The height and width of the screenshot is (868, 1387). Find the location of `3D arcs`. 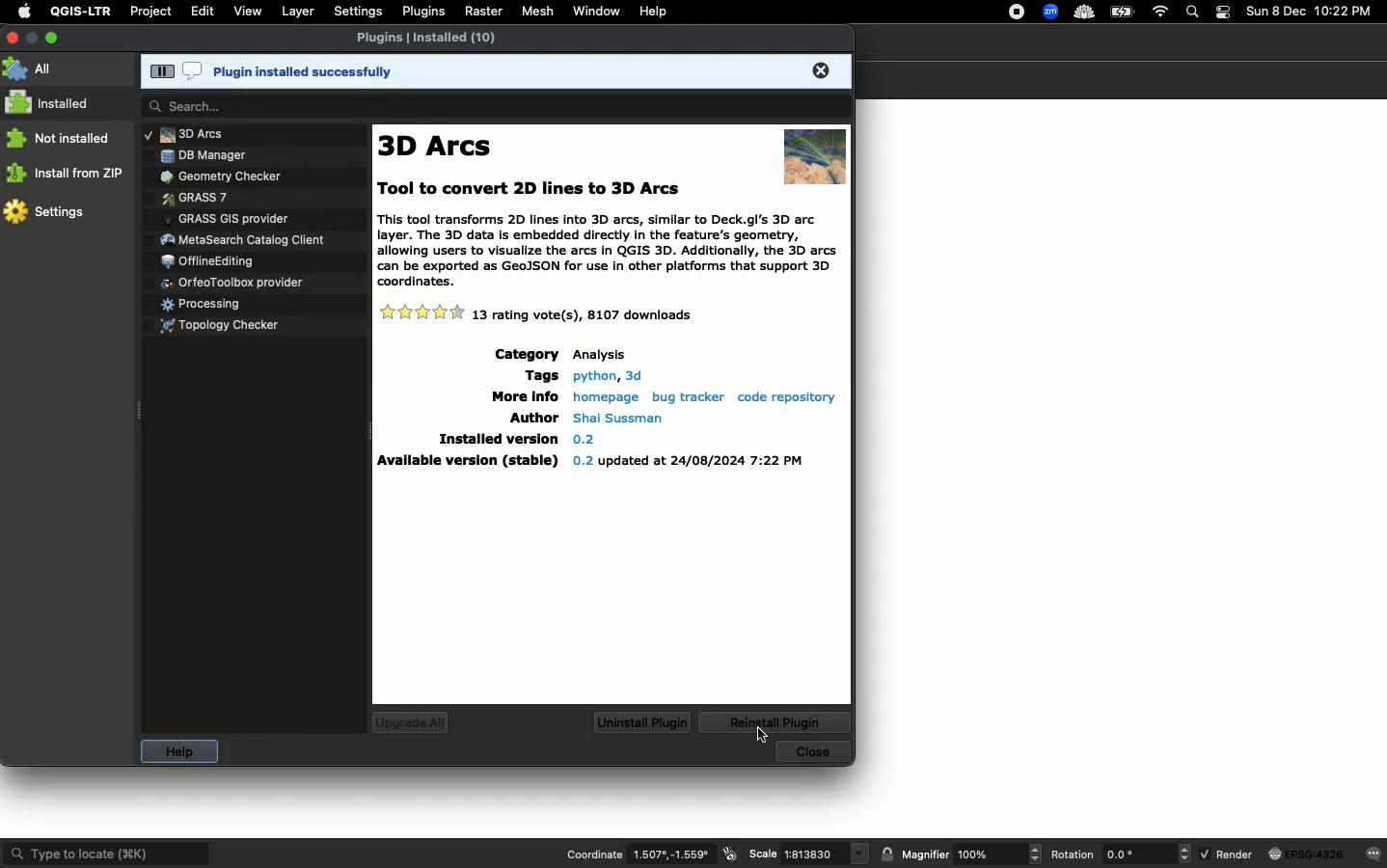

3D arcs is located at coordinates (440, 148).